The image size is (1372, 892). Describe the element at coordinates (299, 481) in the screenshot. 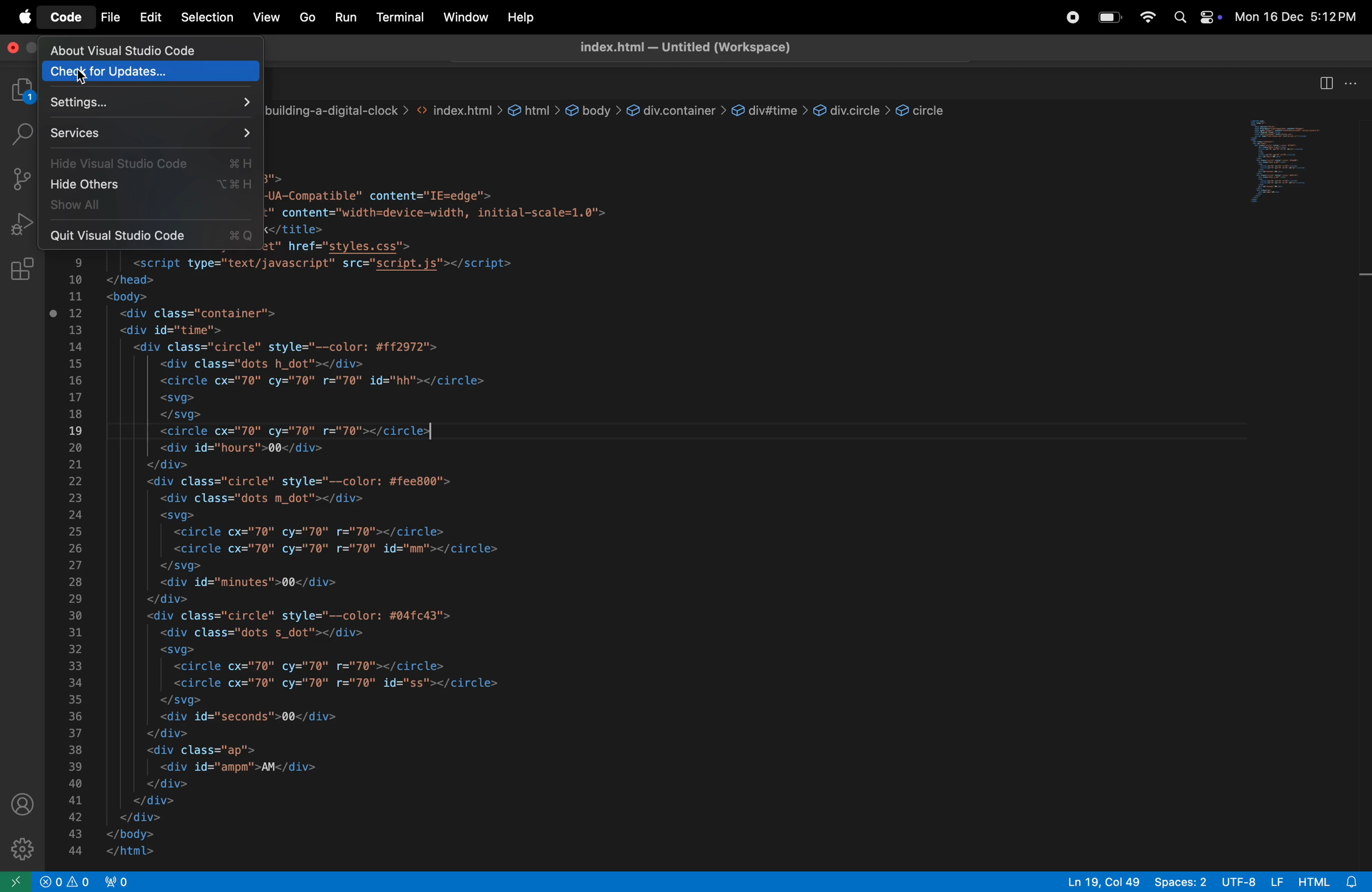

I see `<div class="circle" style="--color: #fee800">` at that location.